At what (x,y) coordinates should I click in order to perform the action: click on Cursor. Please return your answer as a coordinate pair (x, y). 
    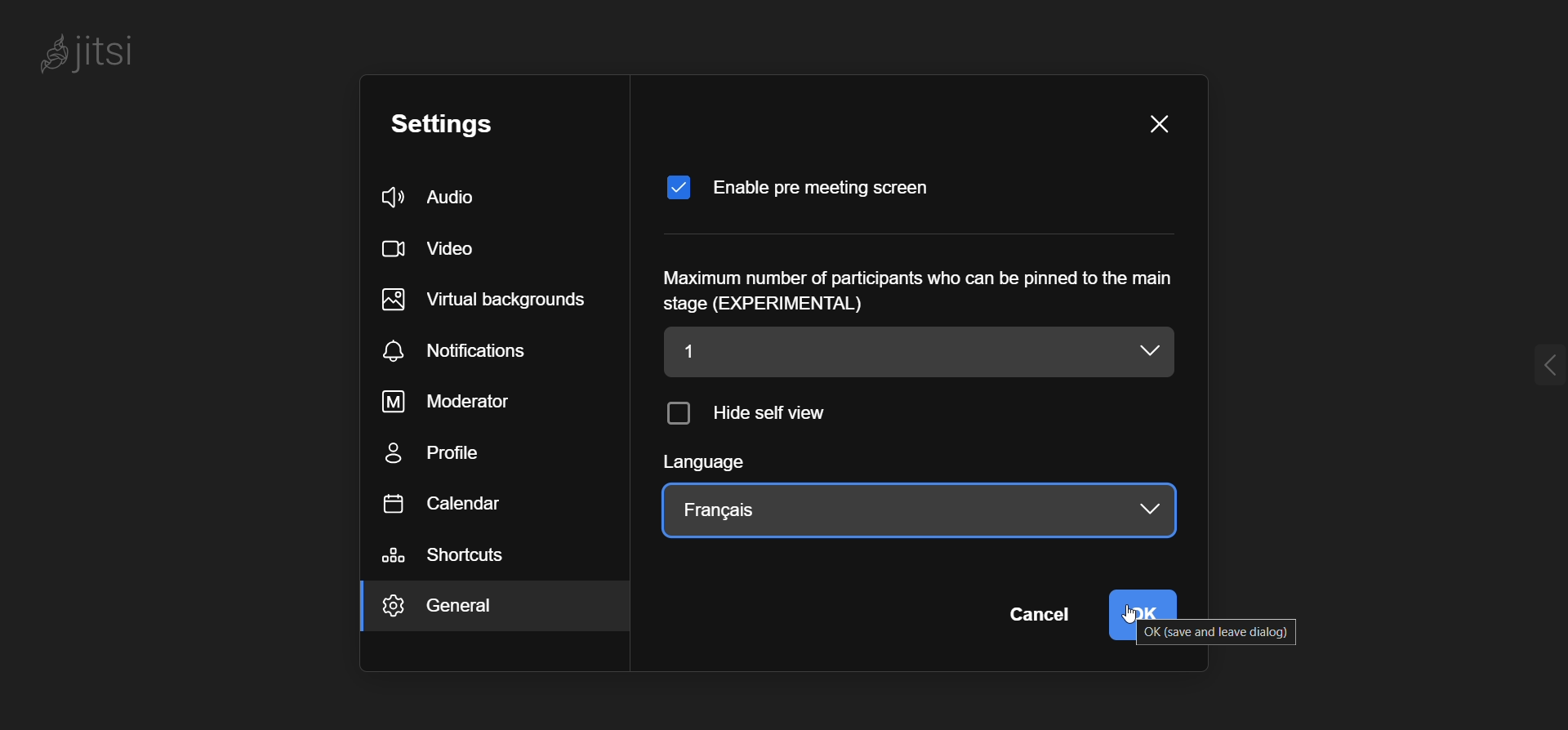
    Looking at the image, I should click on (1124, 622).